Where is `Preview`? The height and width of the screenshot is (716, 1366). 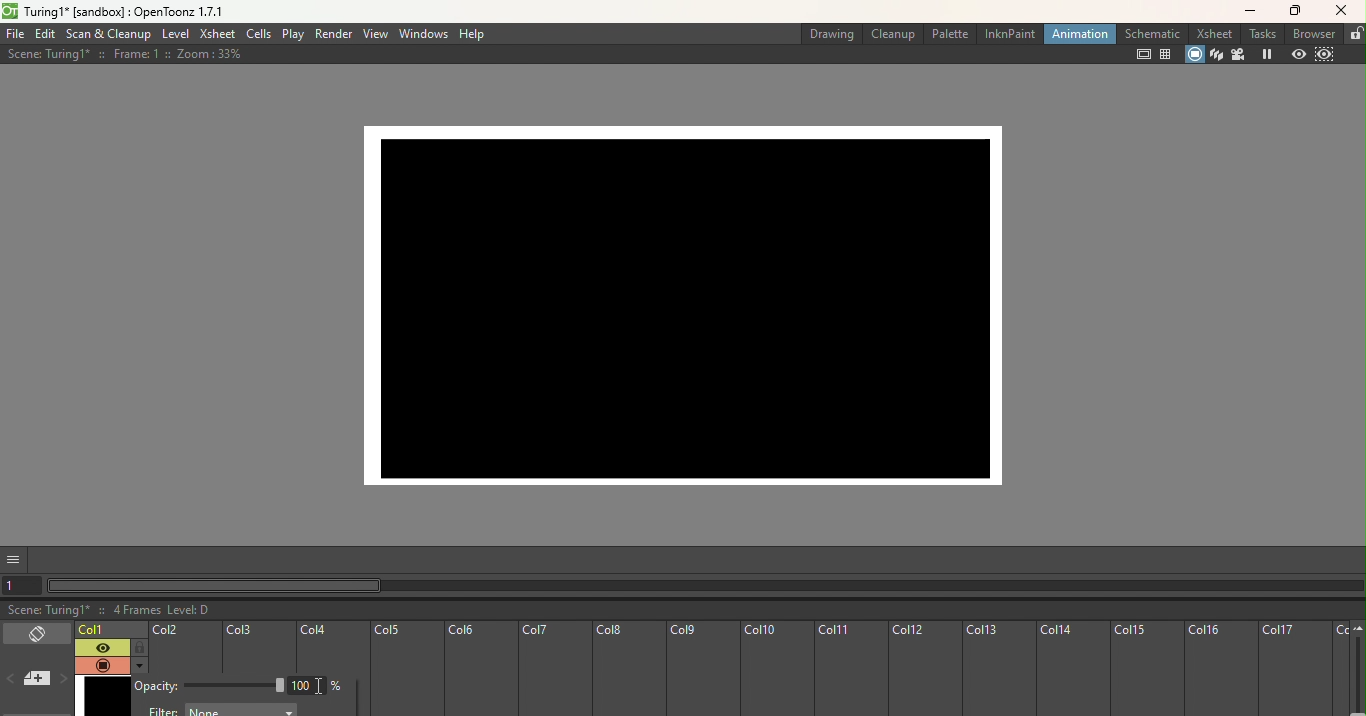
Preview is located at coordinates (1297, 53).